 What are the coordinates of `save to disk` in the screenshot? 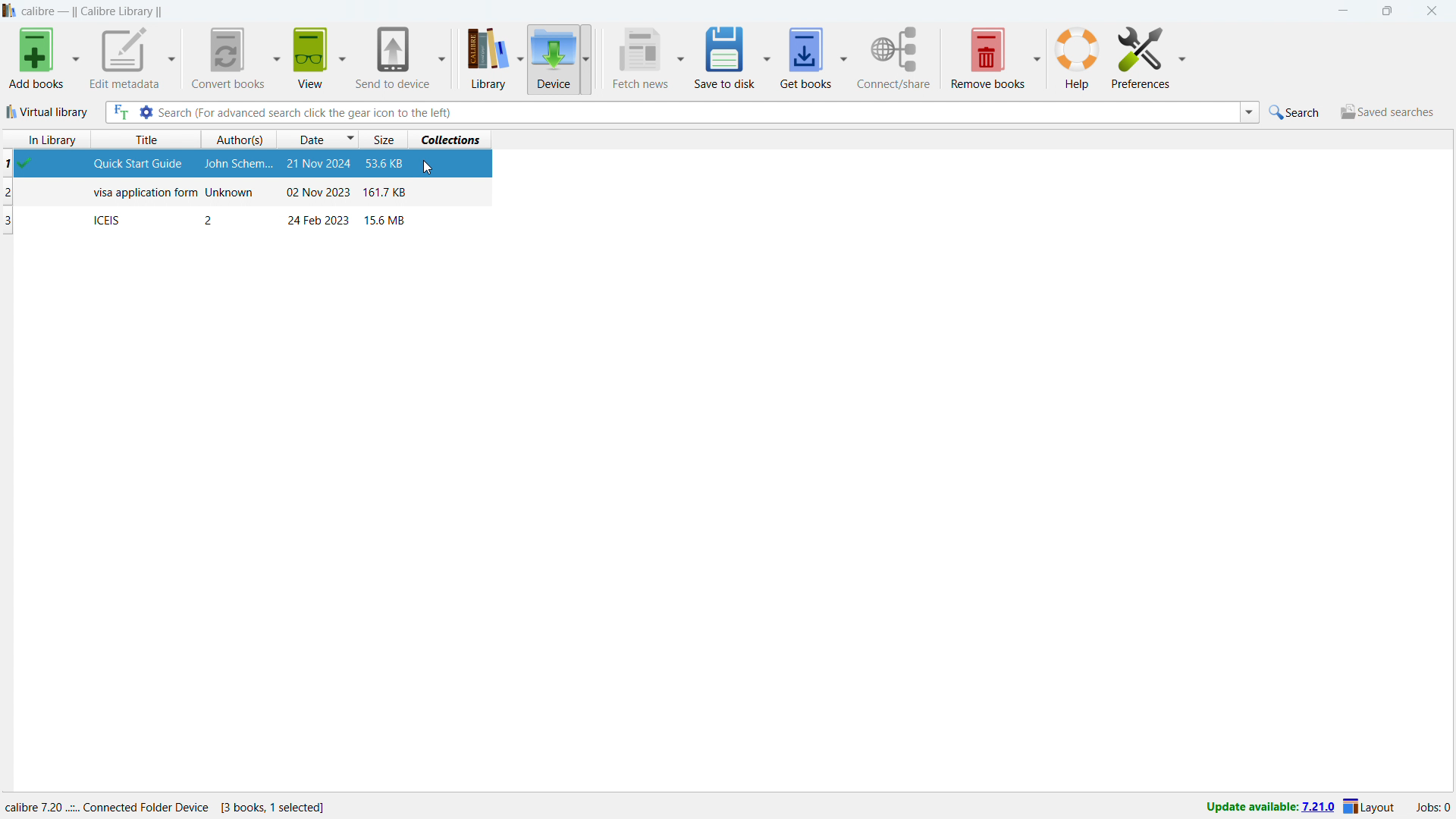 It's located at (723, 57).